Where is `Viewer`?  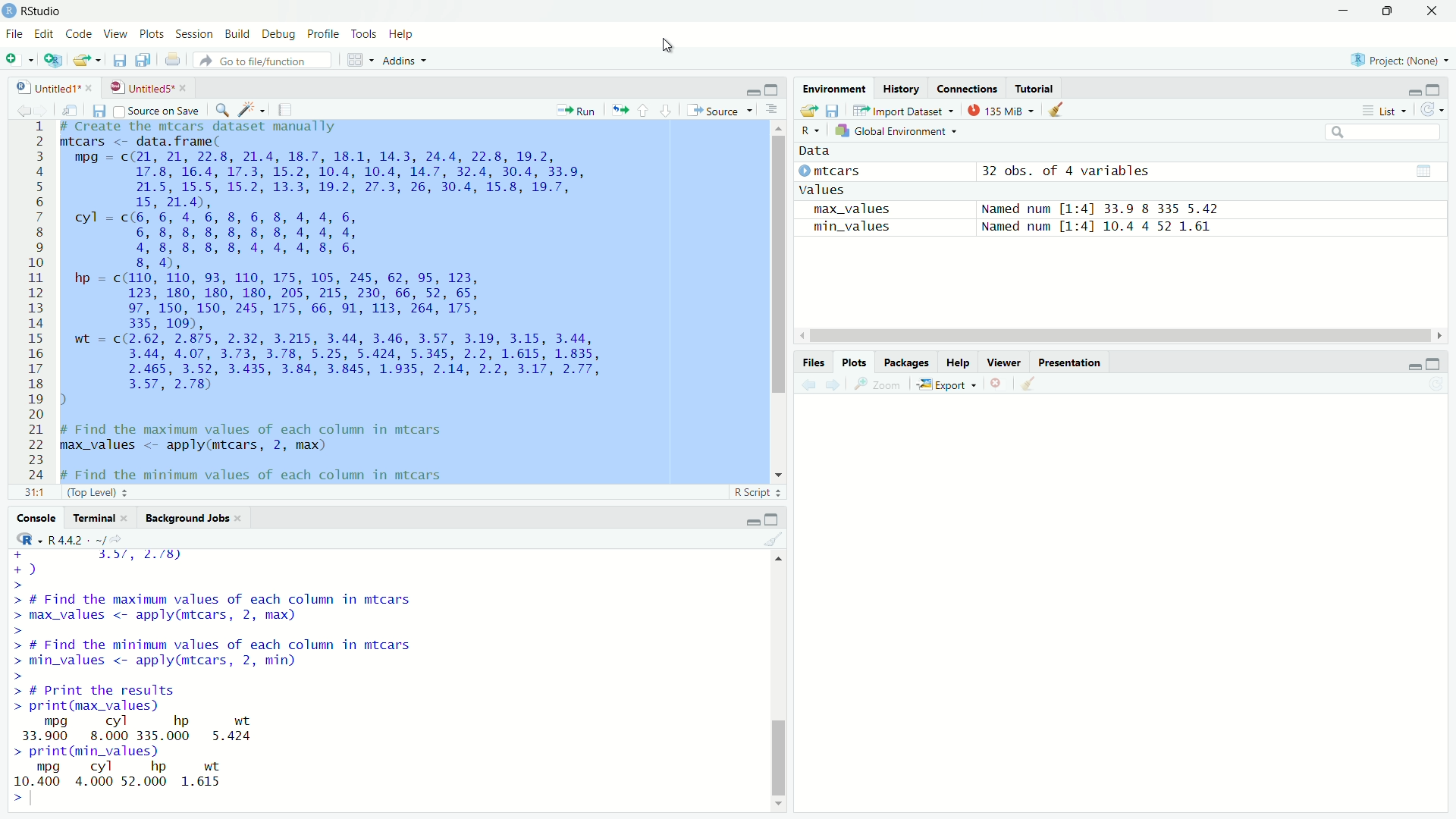
Viewer is located at coordinates (1001, 359).